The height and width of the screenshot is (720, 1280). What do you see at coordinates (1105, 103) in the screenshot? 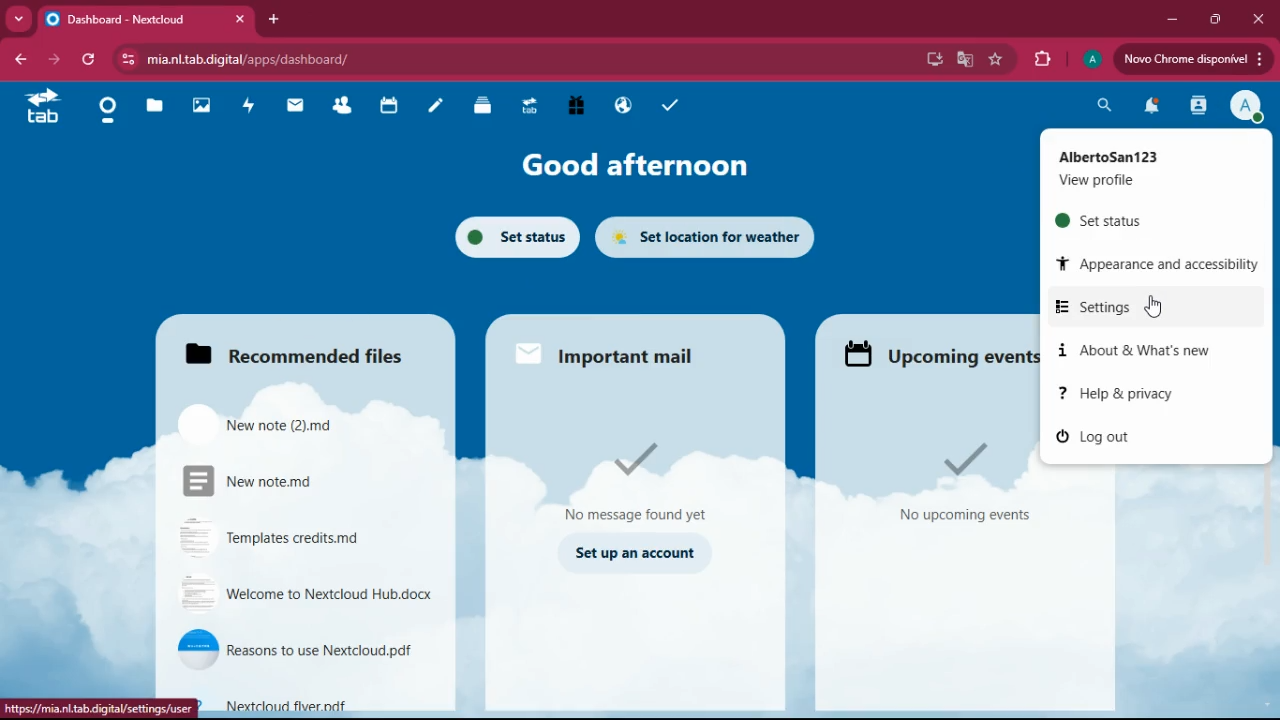
I see `search` at bounding box center [1105, 103].